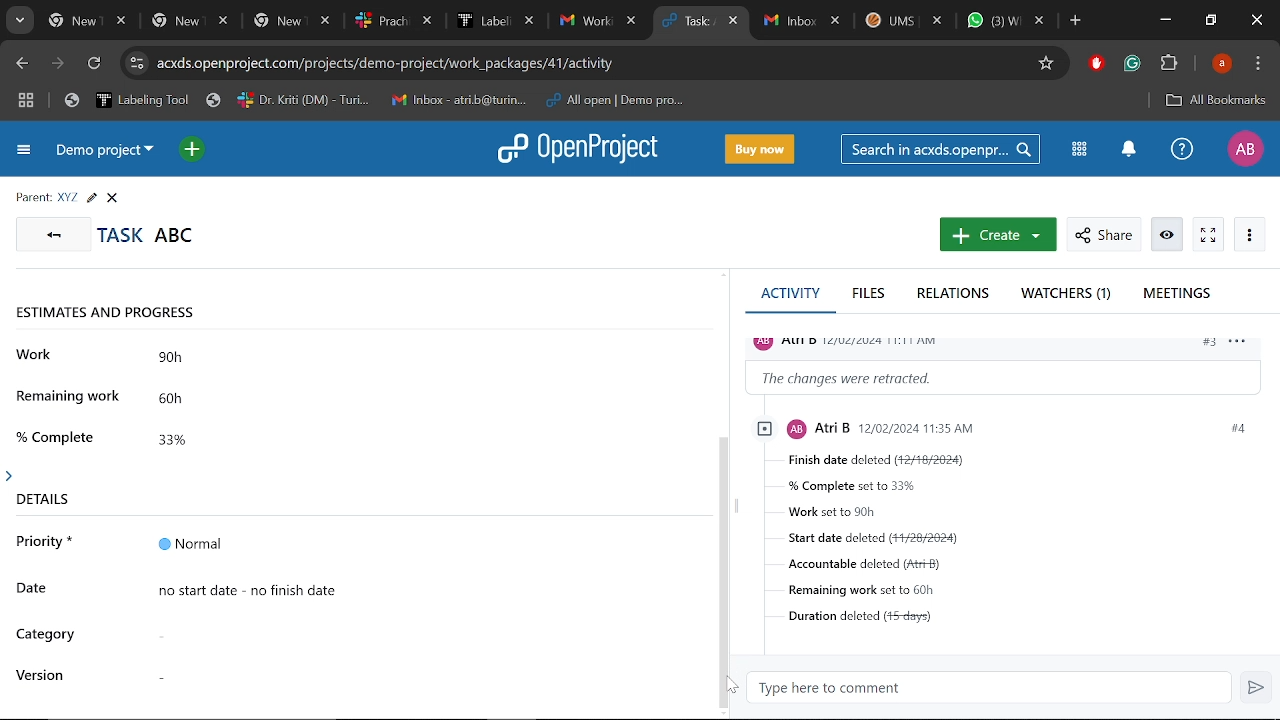  I want to click on Parent task, so click(68, 198).